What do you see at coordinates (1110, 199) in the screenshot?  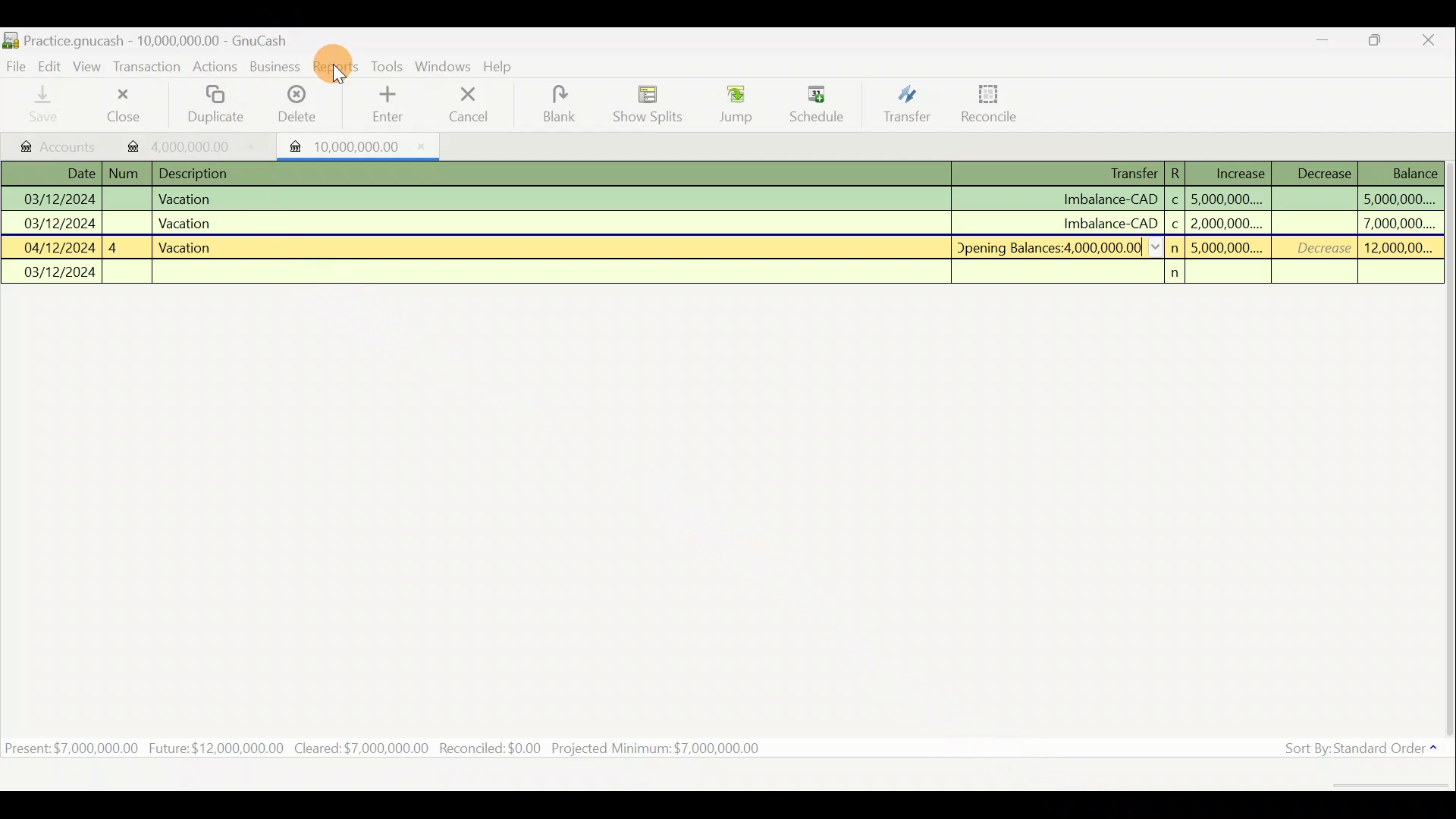 I see `Imbalance-CAD` at bounding box center [1110, 199].